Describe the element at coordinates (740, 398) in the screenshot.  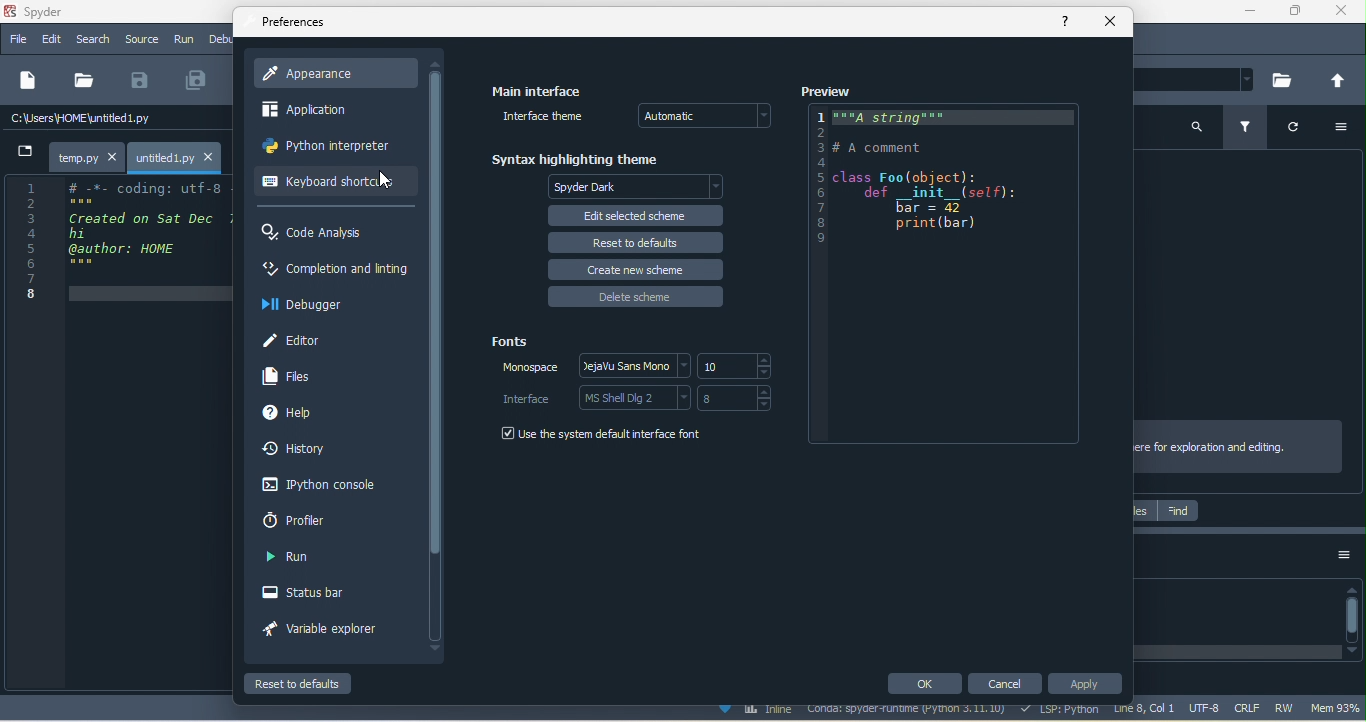
I see `8` at that location.